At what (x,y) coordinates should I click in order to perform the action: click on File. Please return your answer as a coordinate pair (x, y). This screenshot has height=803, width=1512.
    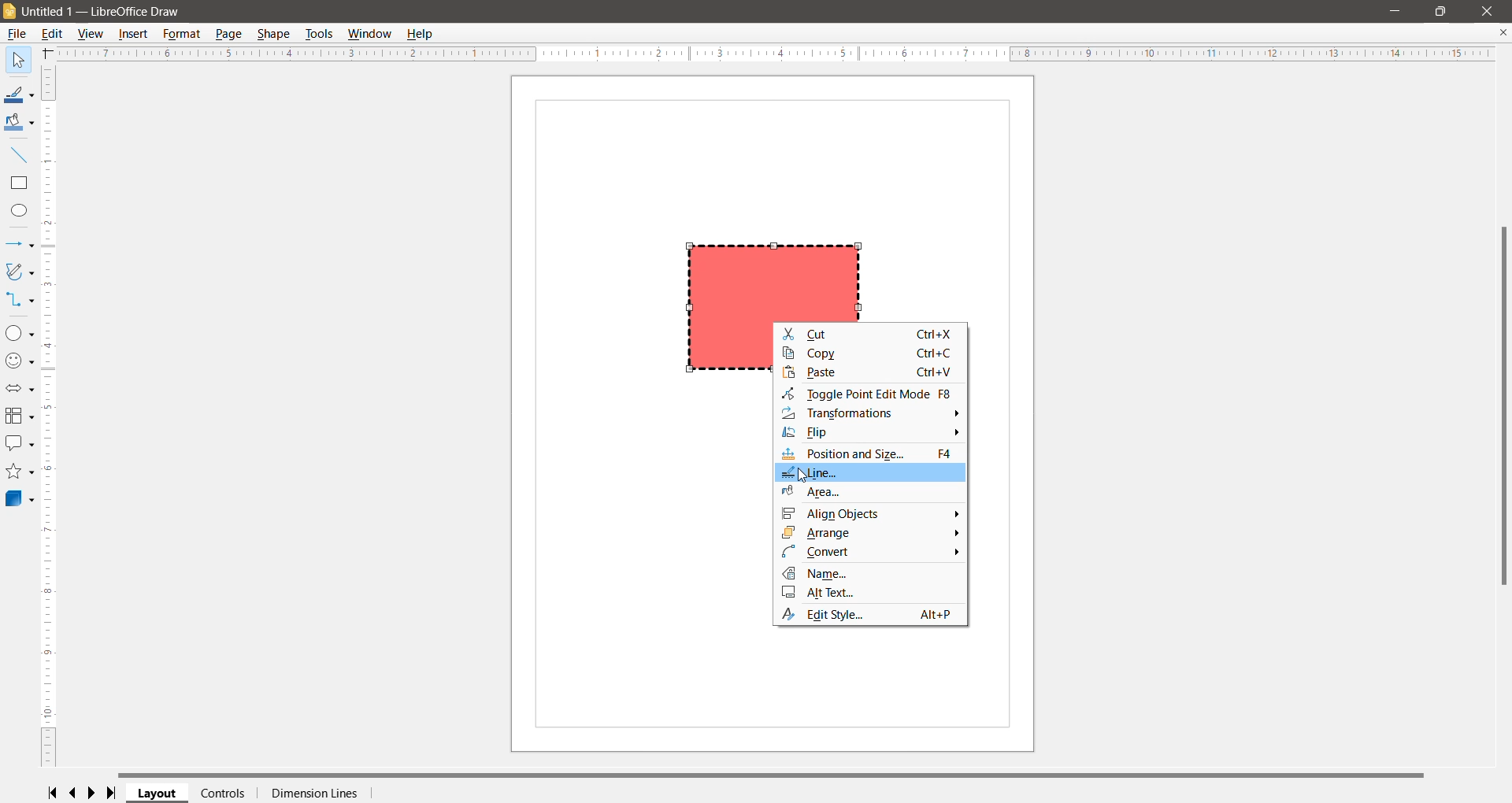
    Looking at the image, I should click on (16, 35).